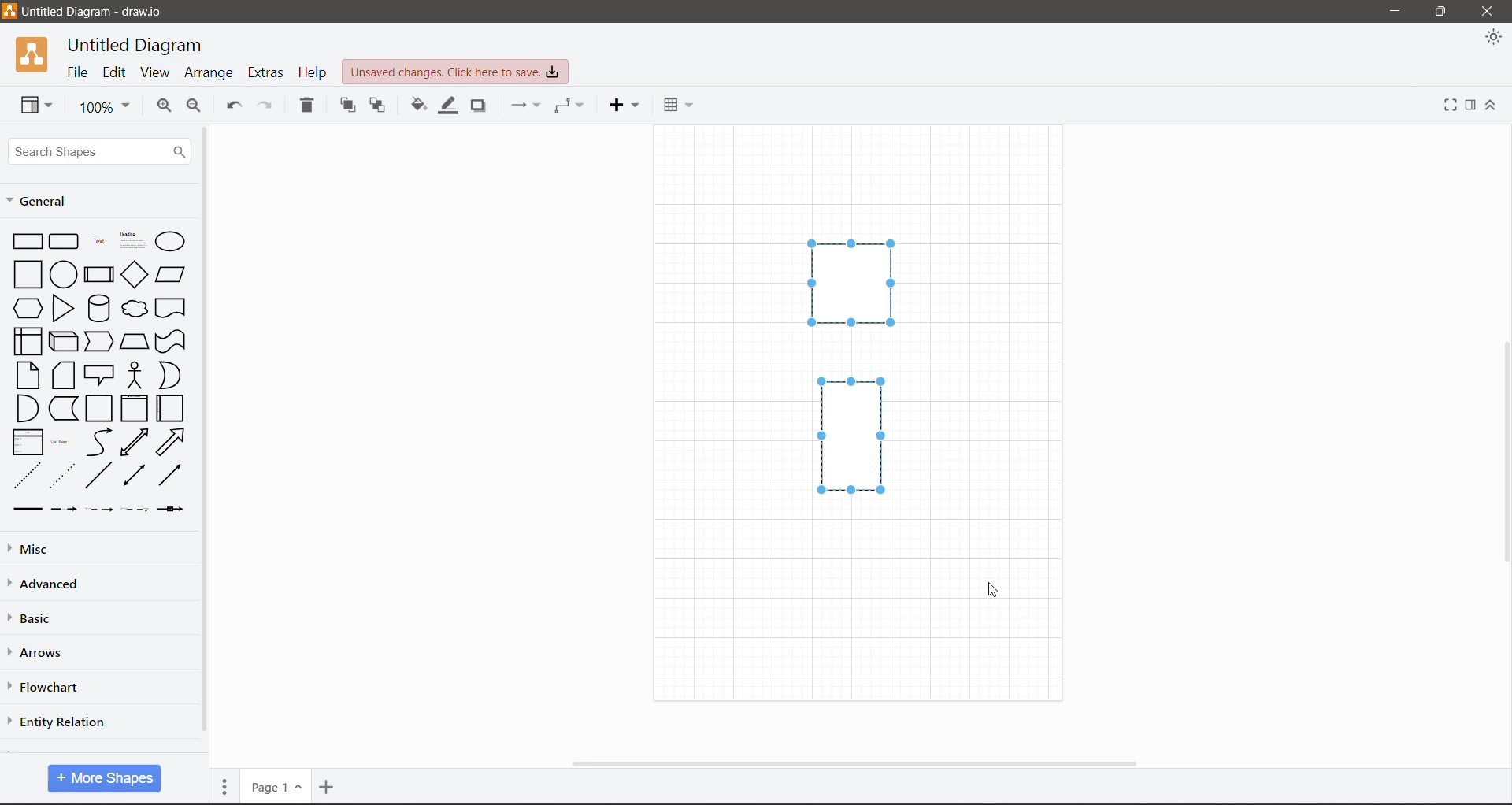 The height and width of the screenshot is (805, 1512). I want to click on Search Shapes, so click(98, 150).